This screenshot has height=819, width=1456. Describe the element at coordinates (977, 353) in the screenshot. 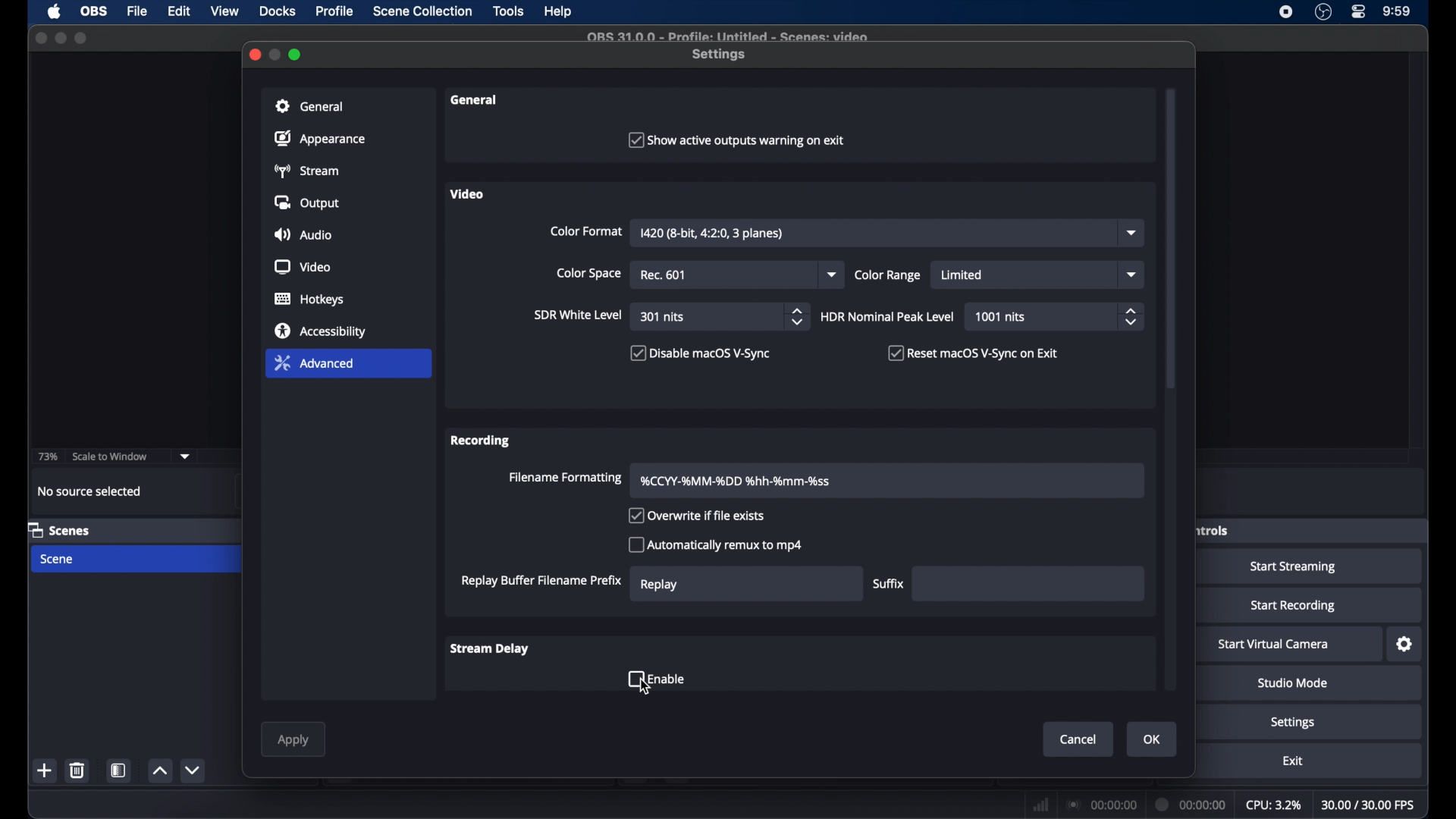

I see `checkbox` at that location.